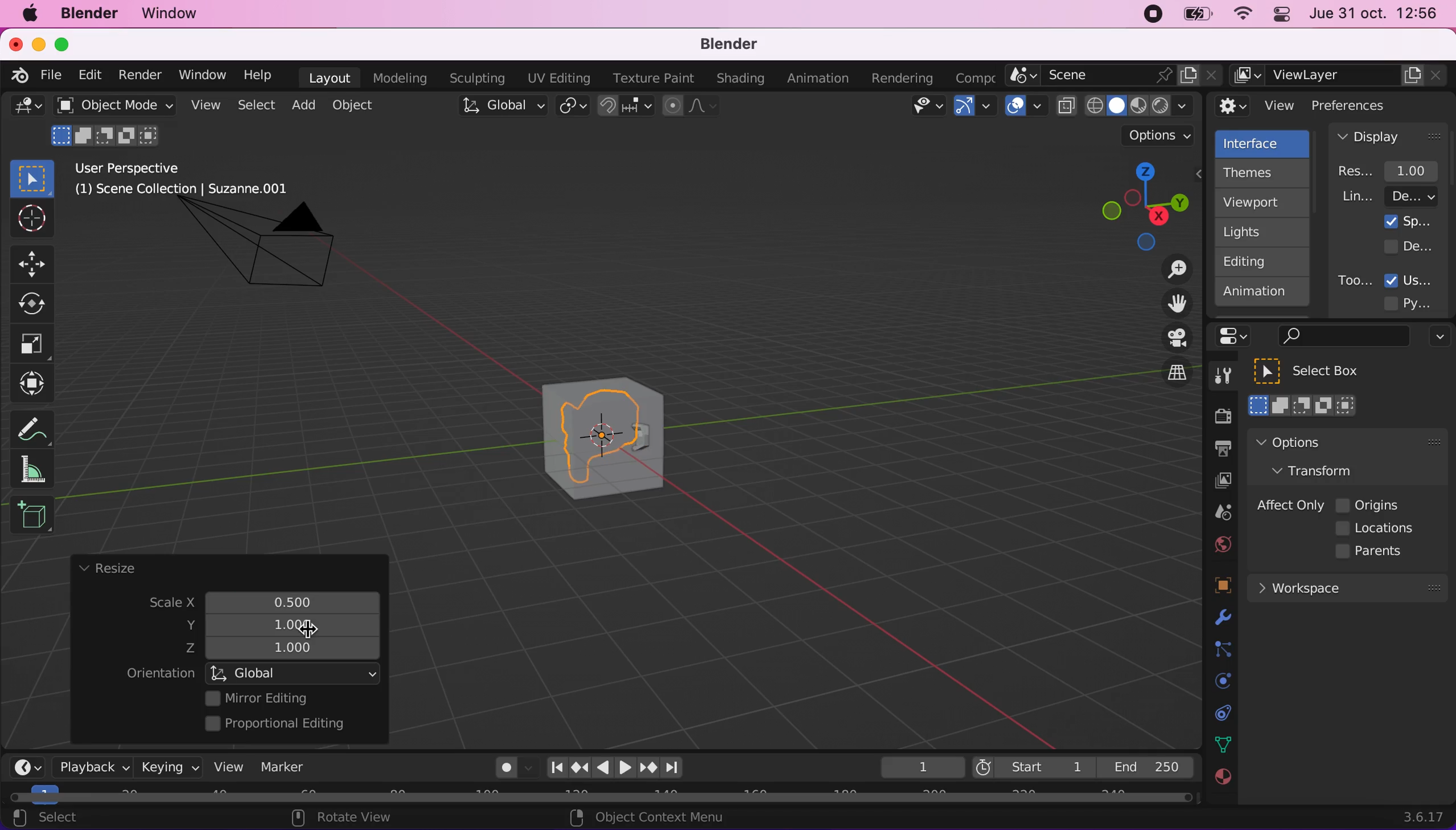  Describe the element at coordinates (1347, 587) in the screenshot. I see `workspace` at that location.